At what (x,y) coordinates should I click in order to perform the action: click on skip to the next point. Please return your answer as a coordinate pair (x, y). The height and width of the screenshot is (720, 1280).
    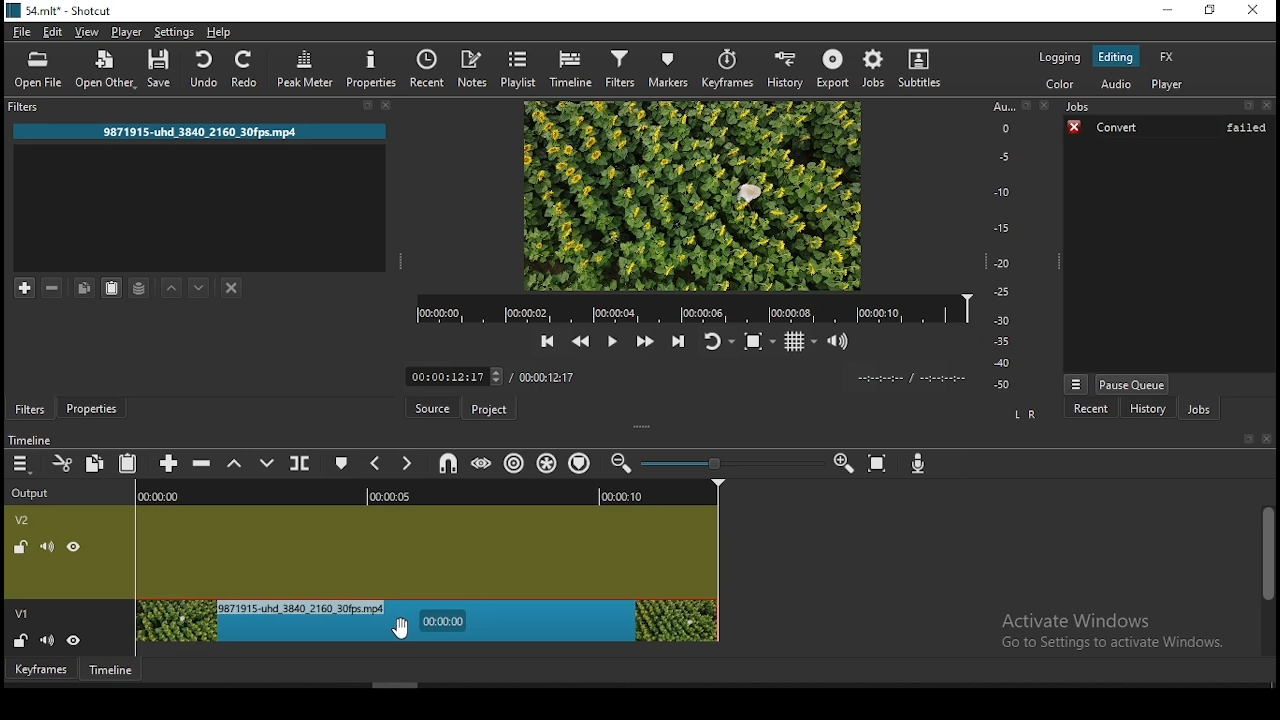
    Looking at the image, I should click on (682, 343).